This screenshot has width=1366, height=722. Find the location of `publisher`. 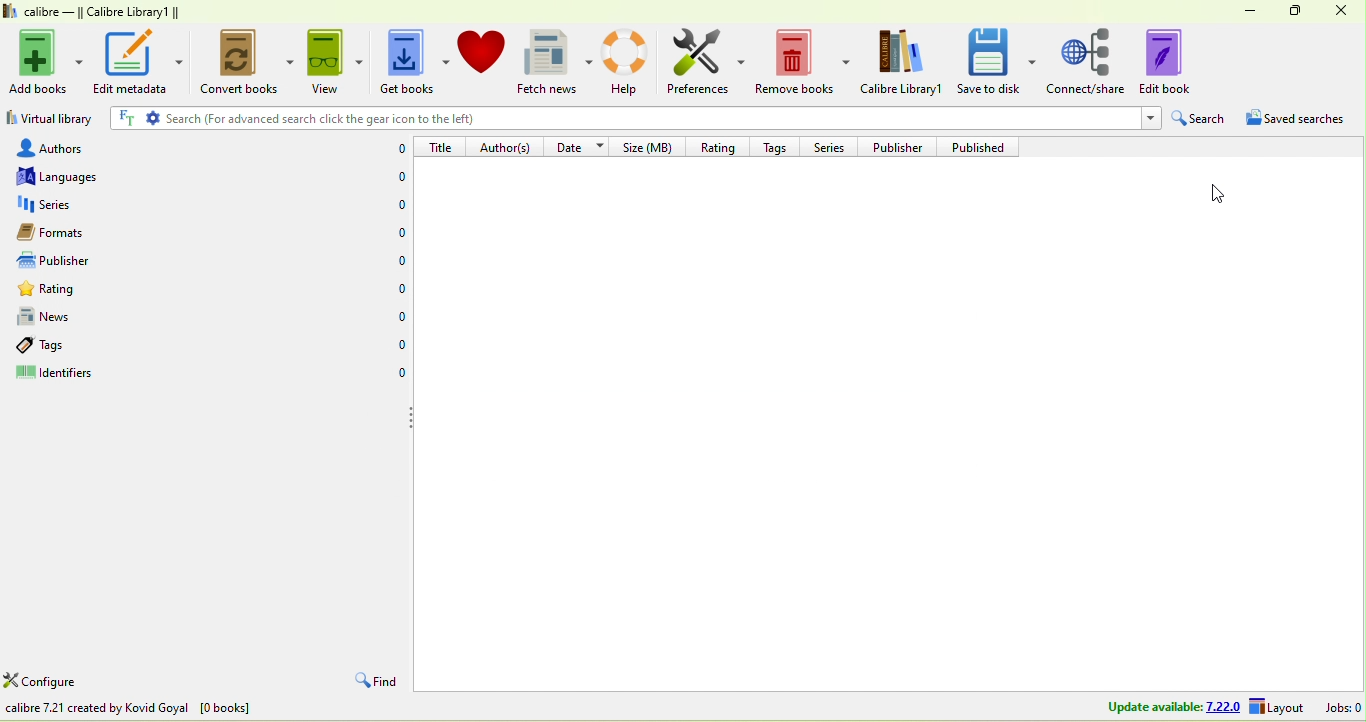

publisher is located at coordinates (74, 261).